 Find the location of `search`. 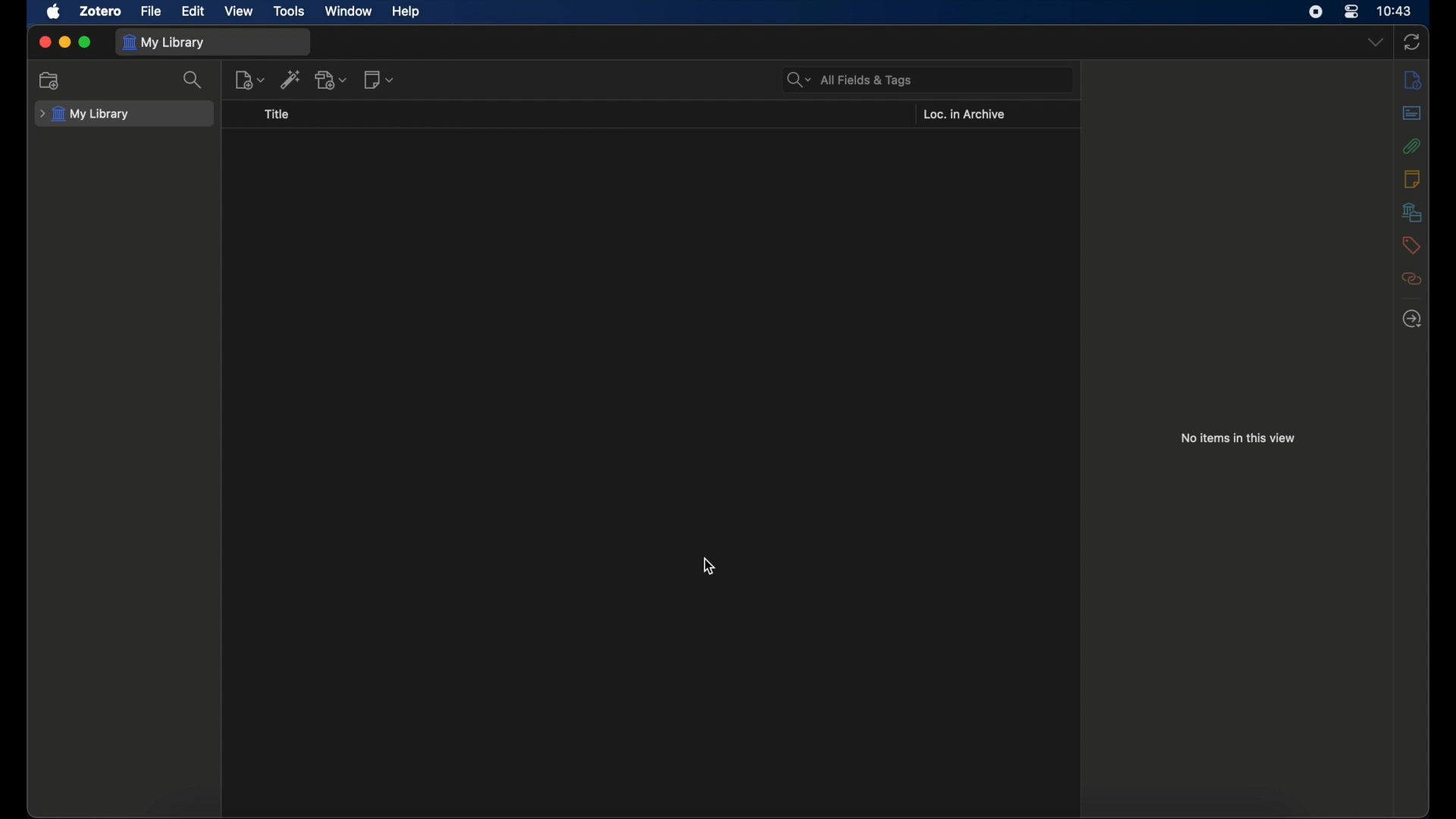

search is located at coordinates (194, 80).